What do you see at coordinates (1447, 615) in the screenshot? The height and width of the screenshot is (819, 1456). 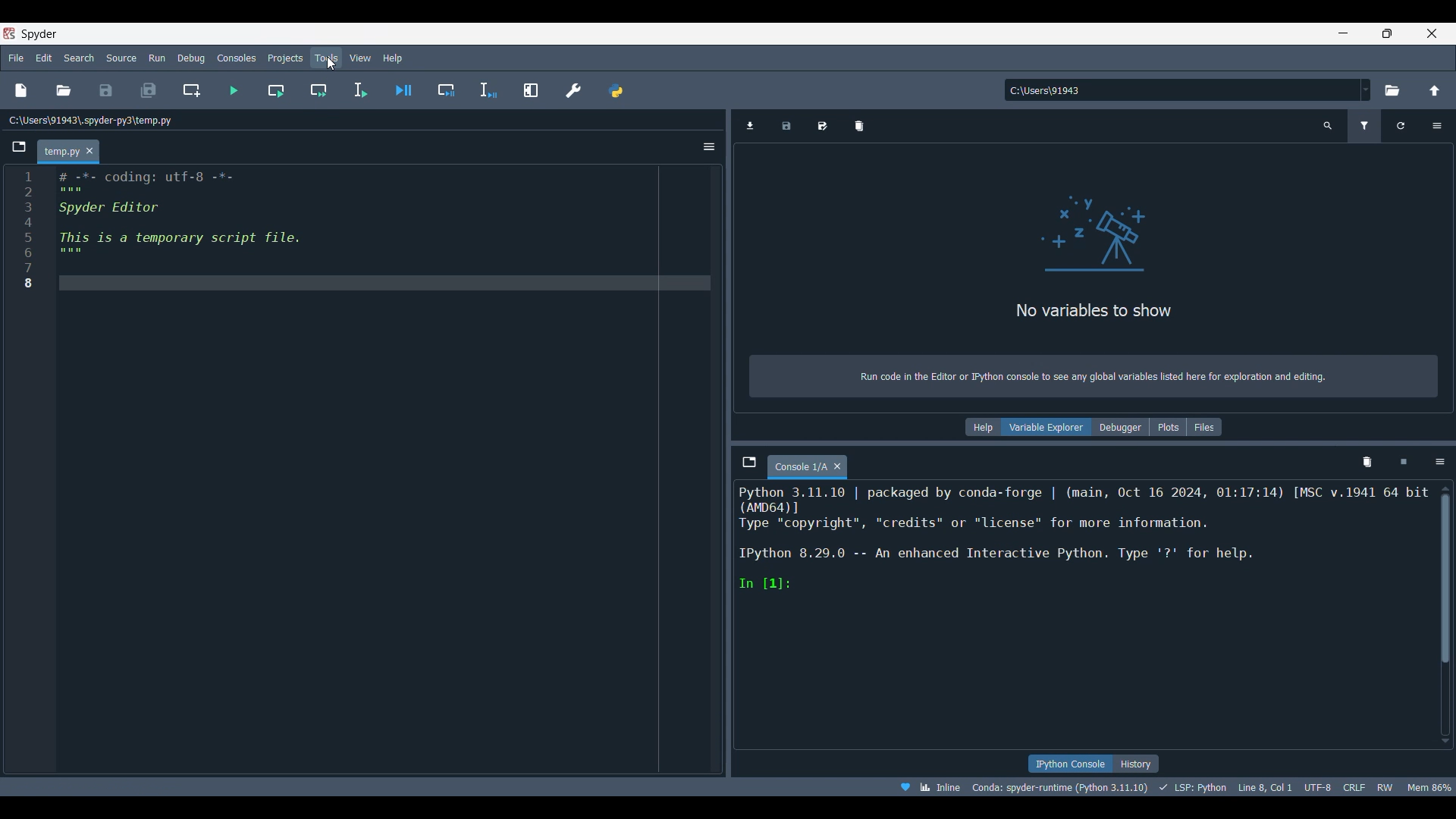 I see `Vertical slide bar` at bounding box center [1447, 615].